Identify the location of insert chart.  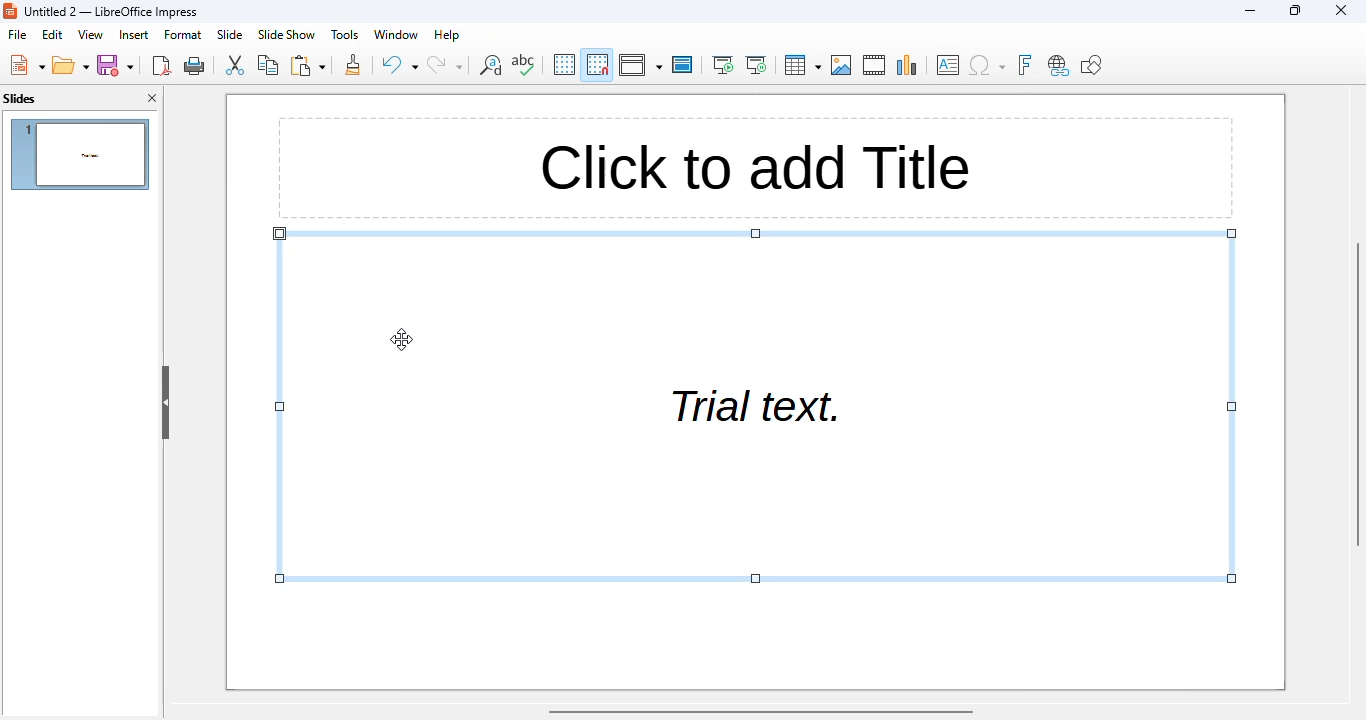
(908, 65).